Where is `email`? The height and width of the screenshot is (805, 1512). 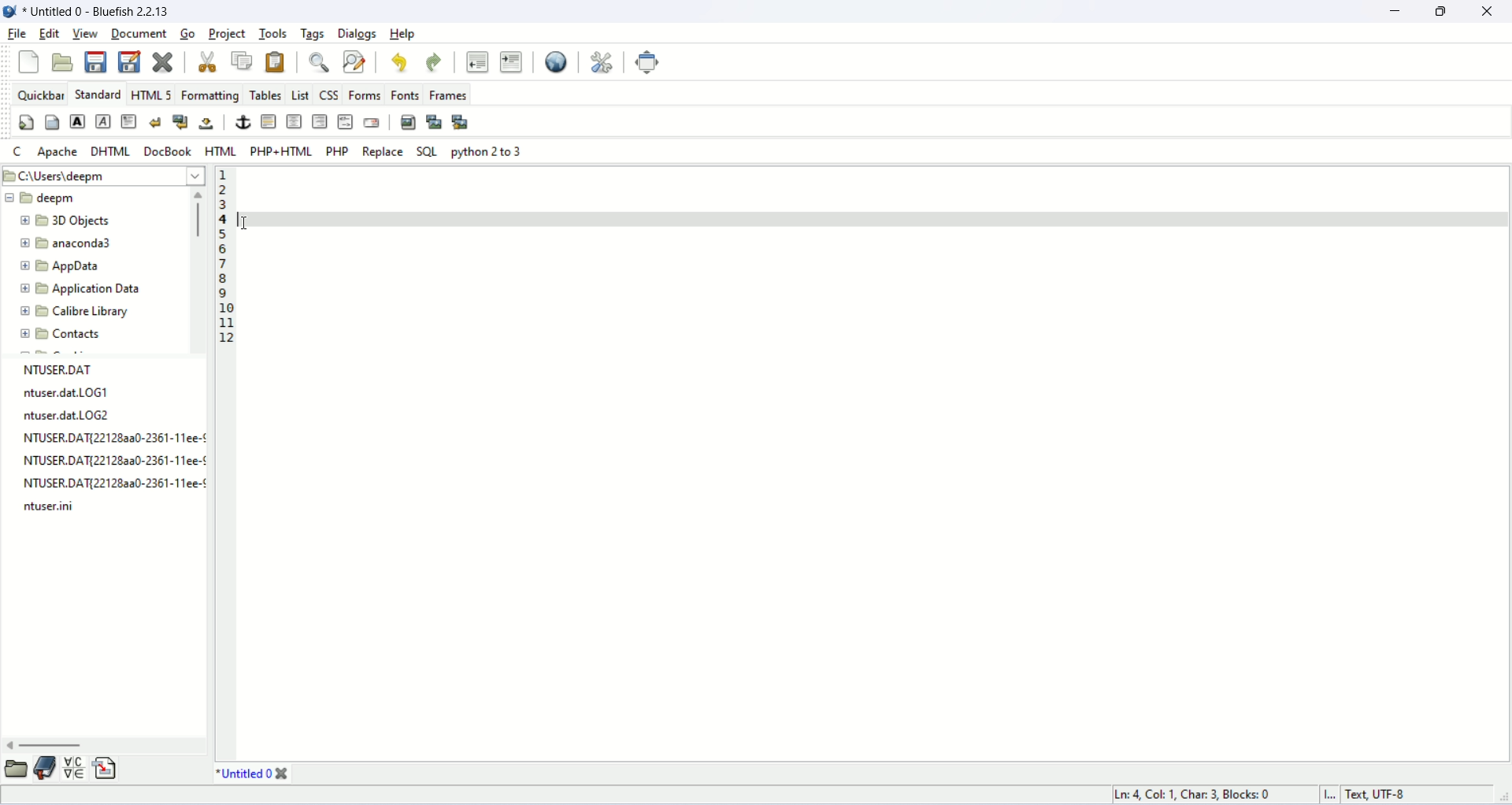
email is located at coordinates (372, 123).